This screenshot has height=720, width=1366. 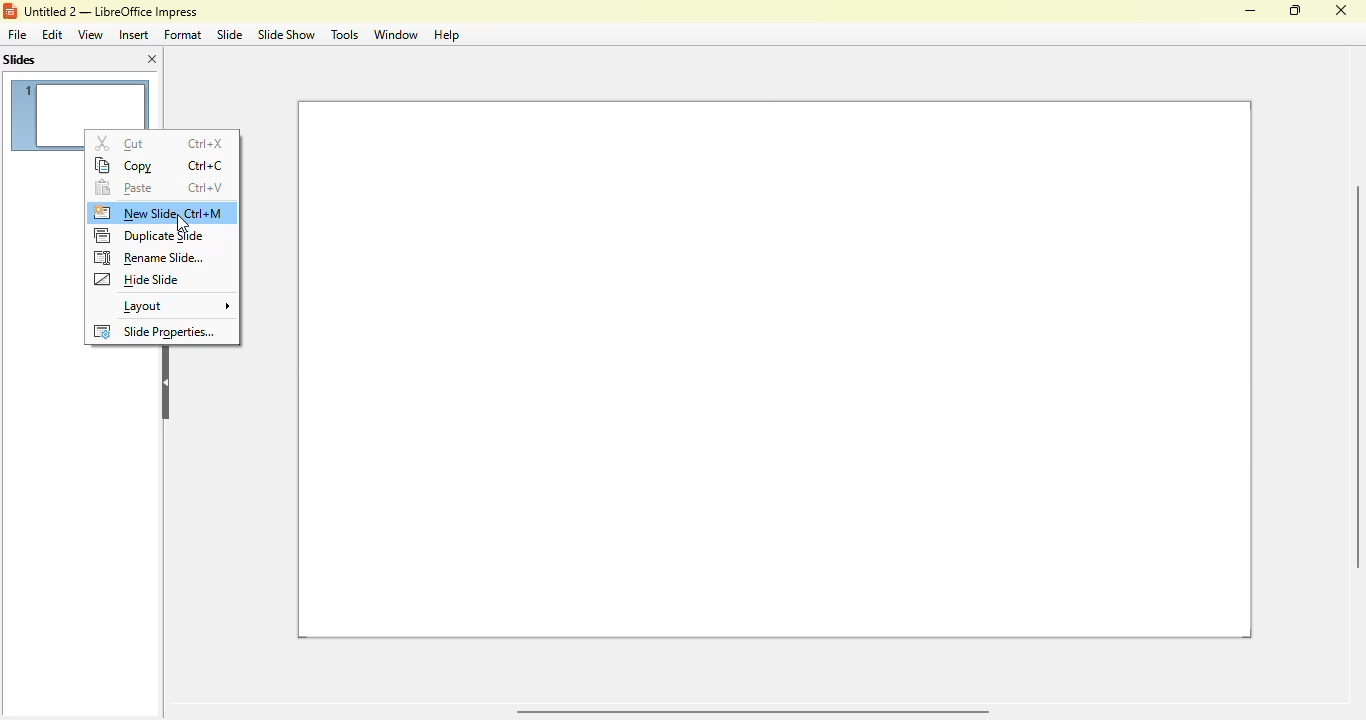 What do you see at coordinates (285, 34) in the screenshot?
I see `slide show` at bounding box center [285, 34].